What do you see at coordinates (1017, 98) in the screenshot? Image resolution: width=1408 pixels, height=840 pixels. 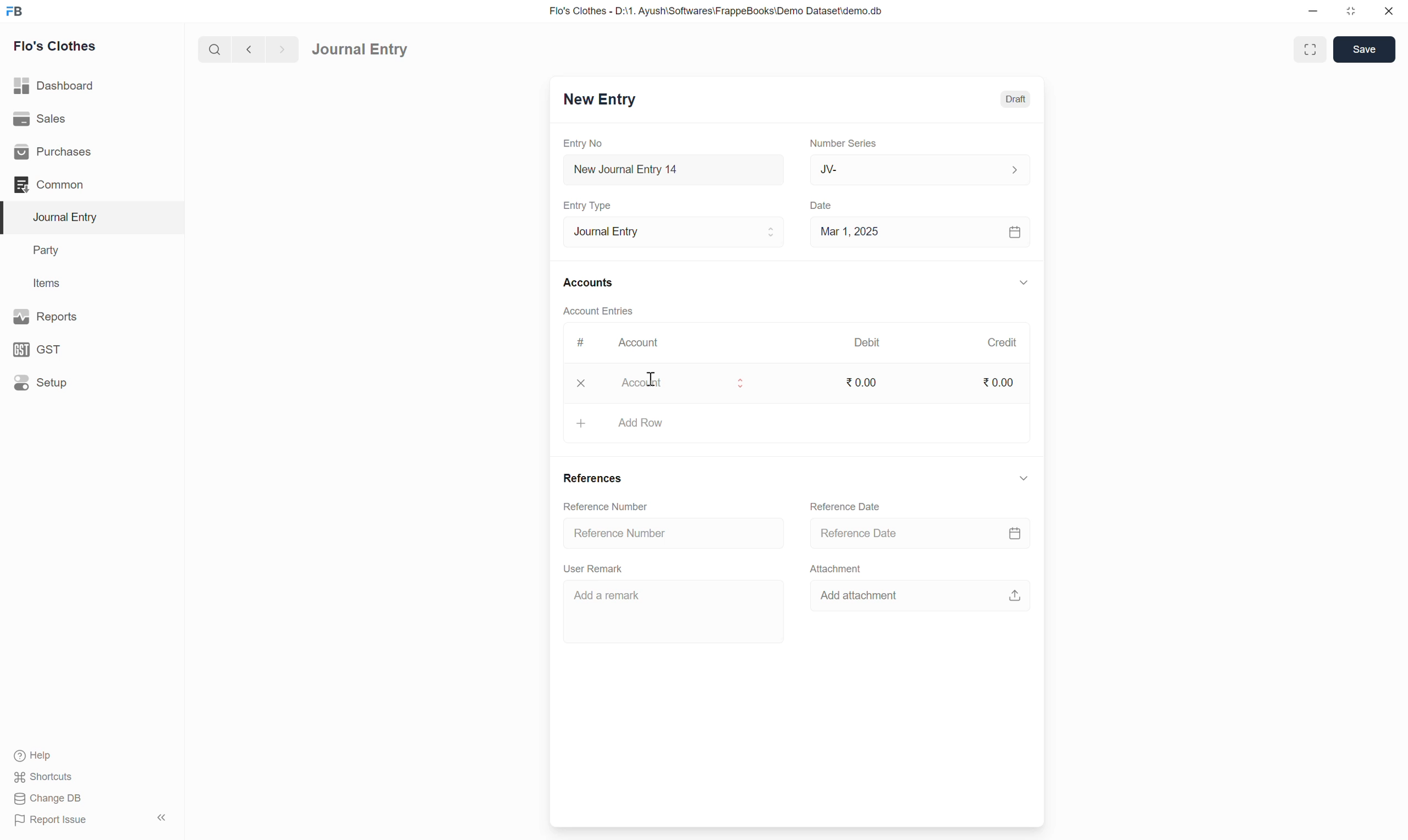 I see `Draft` at bounding box center [1017, 98].